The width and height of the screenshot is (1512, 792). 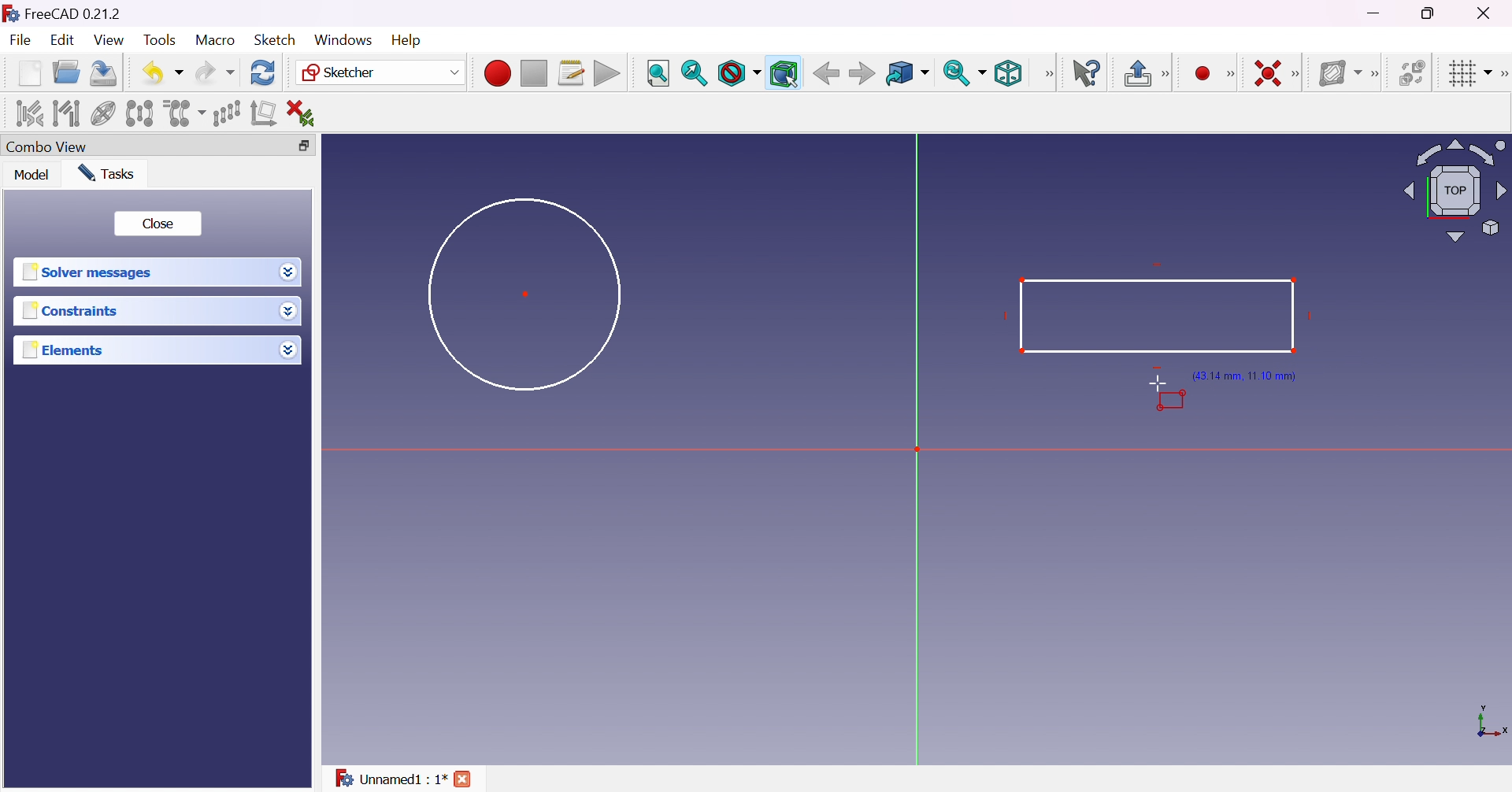 I want to click on Switch virtual space, so click(x=1415, y=72).